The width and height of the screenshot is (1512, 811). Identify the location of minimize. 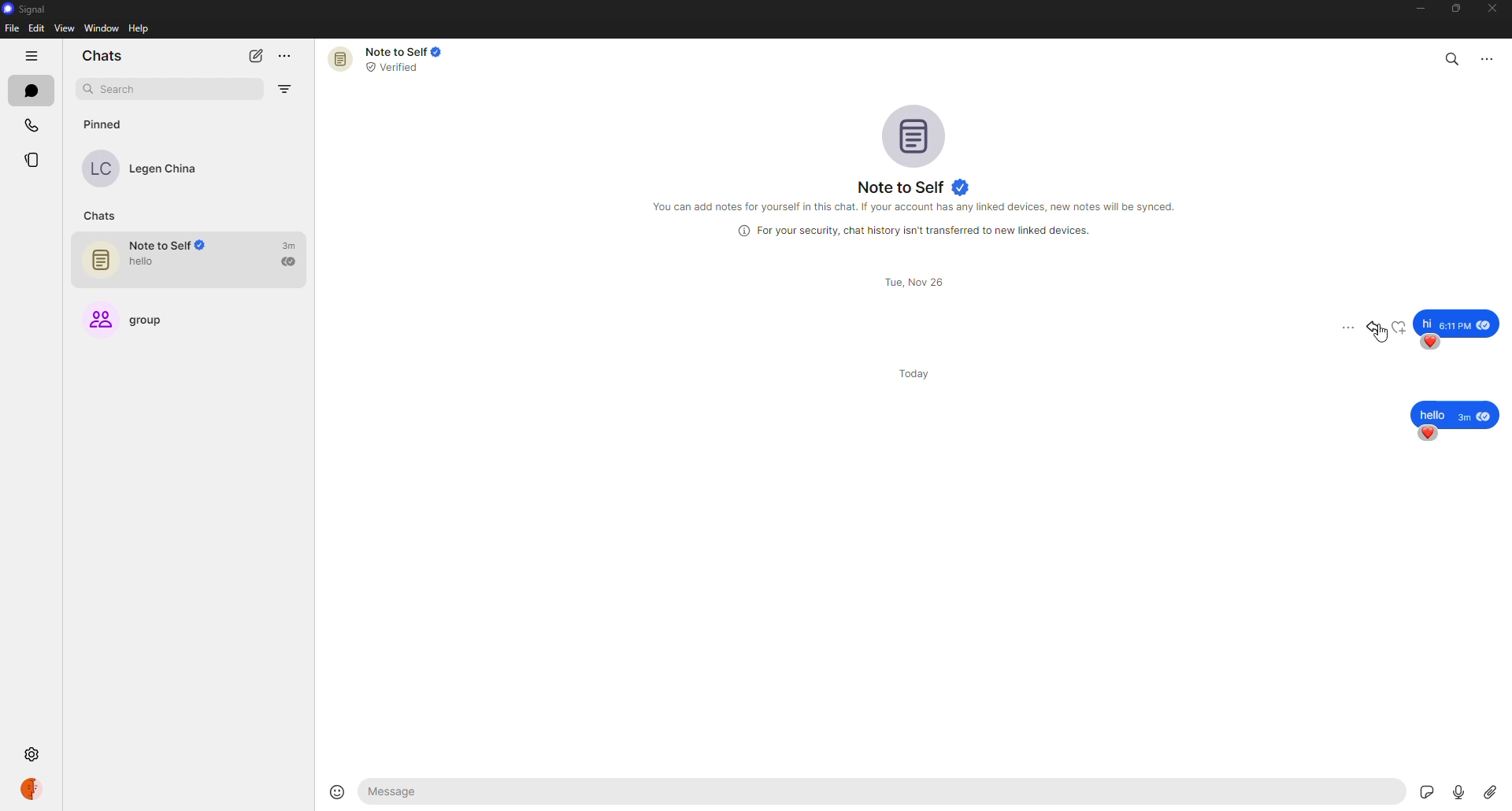
(1418, 9).